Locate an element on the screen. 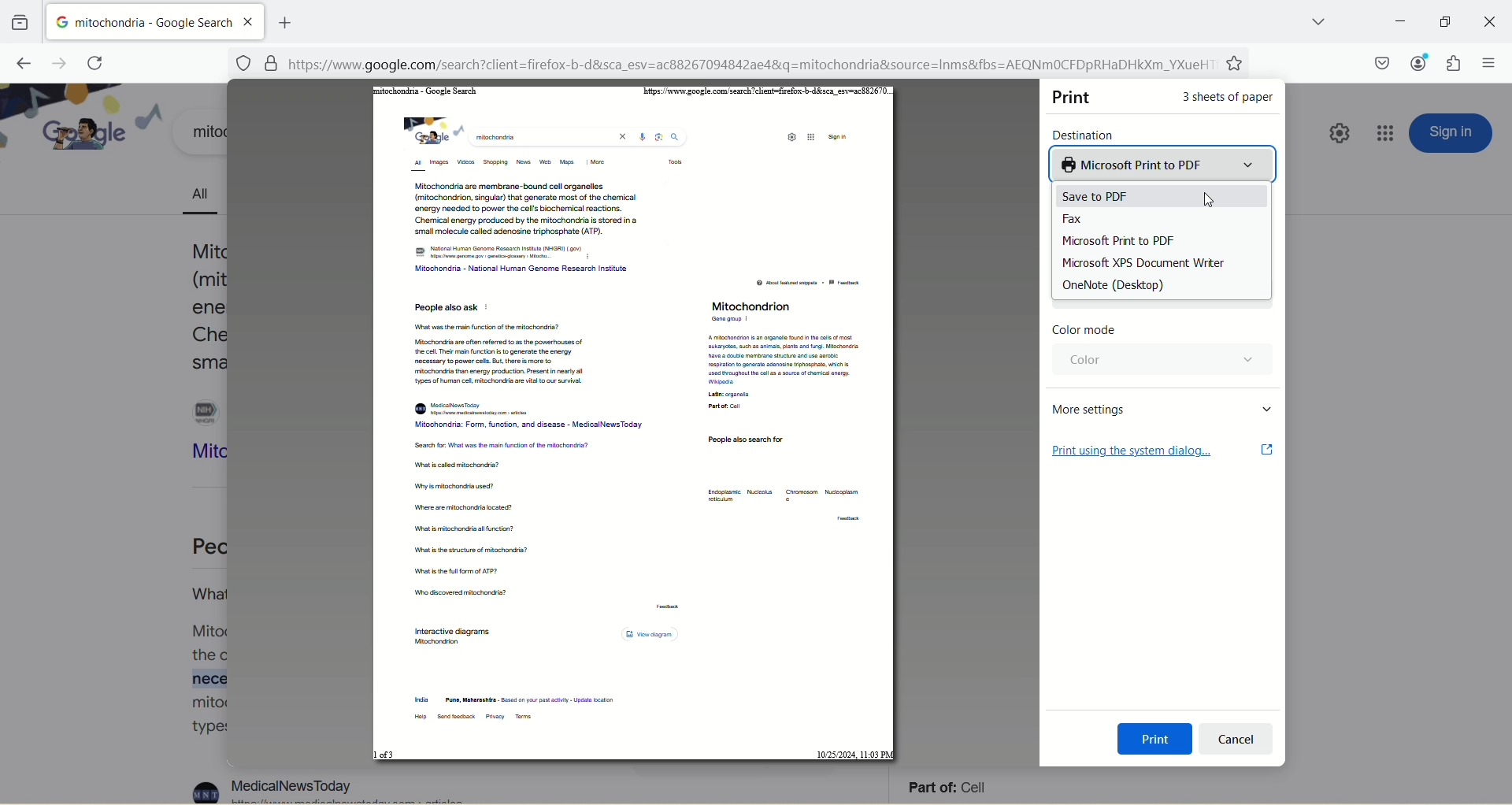  close is located at coordinates (1487, 21).